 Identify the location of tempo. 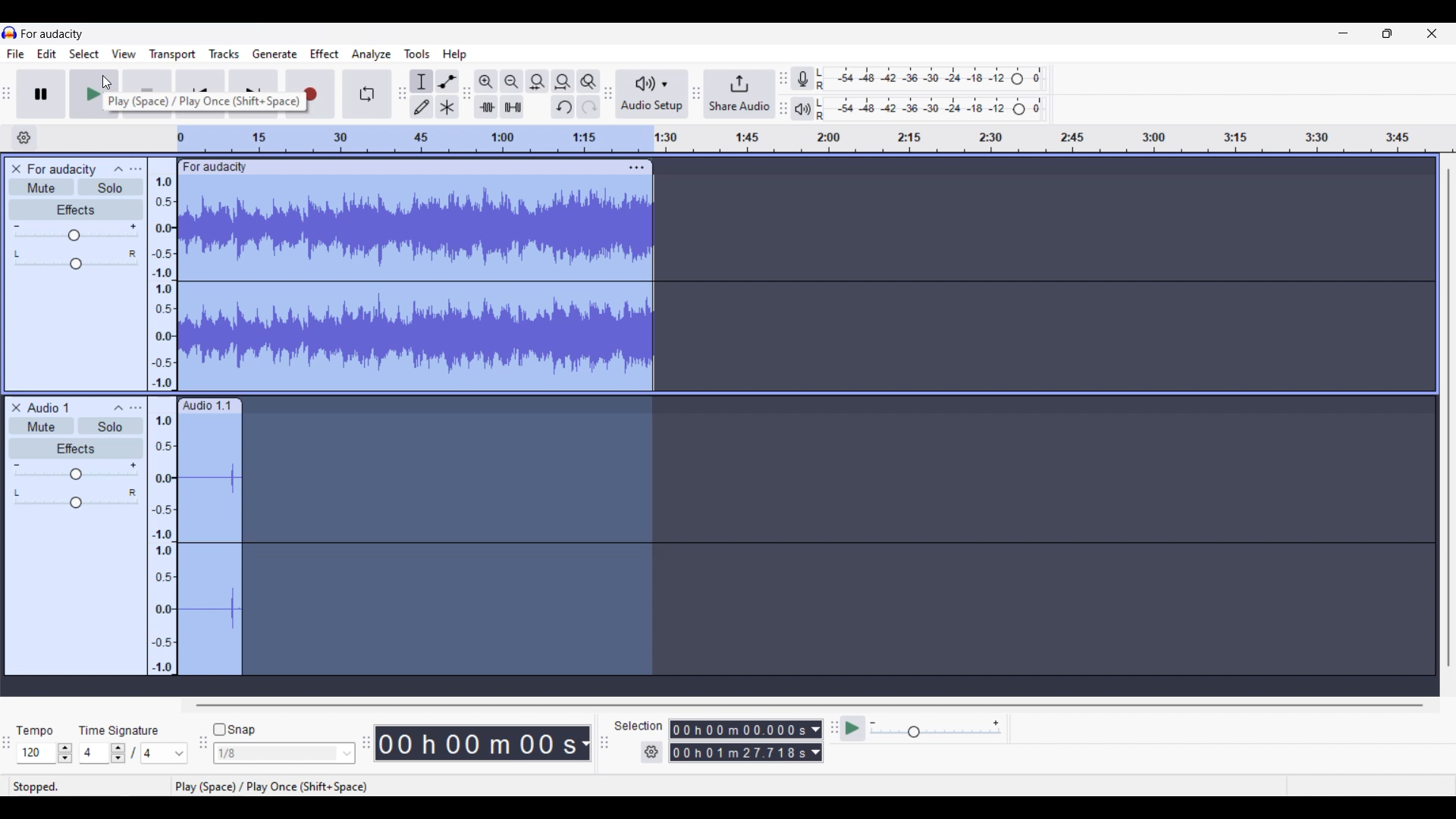
(36, 730).